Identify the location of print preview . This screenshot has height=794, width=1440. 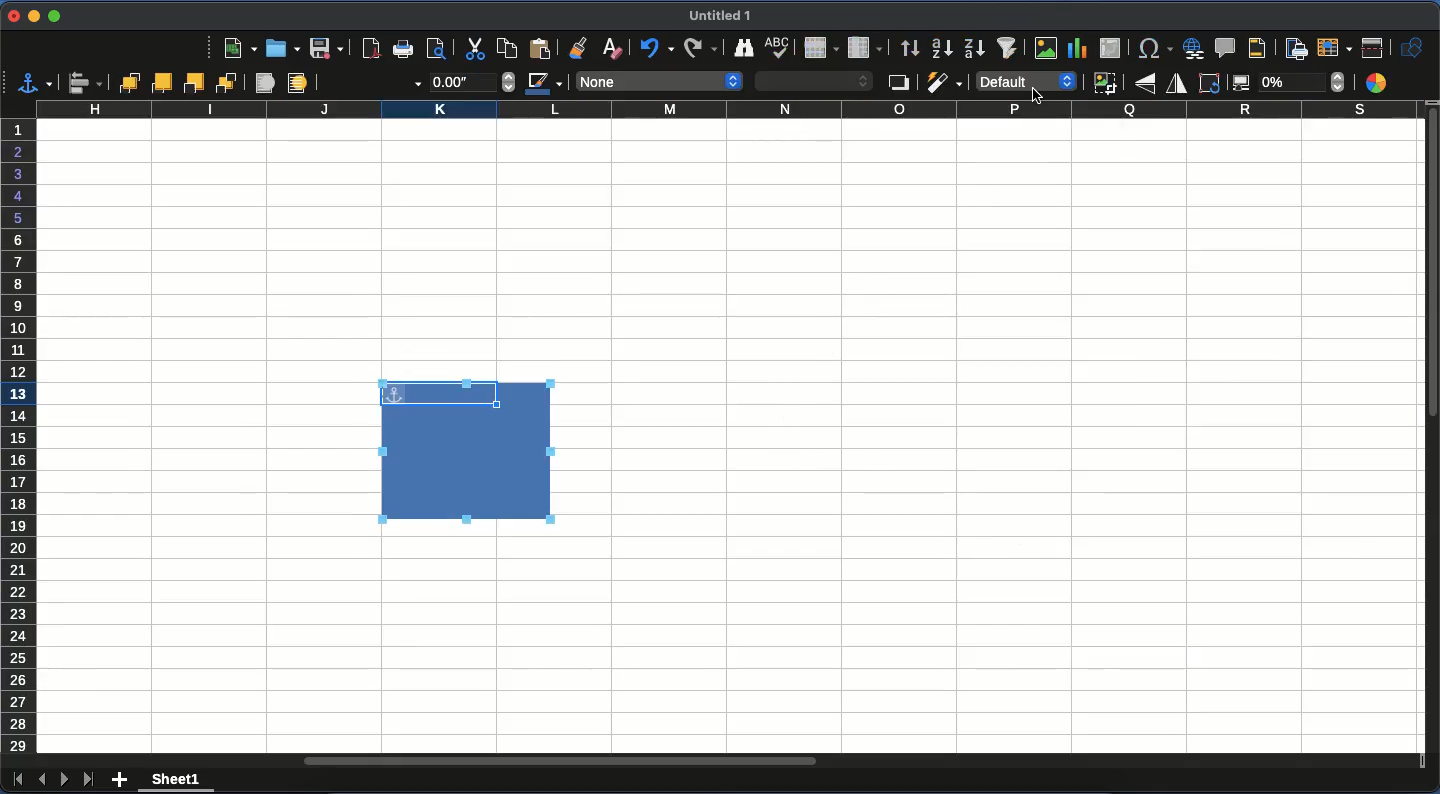
(440, 49).